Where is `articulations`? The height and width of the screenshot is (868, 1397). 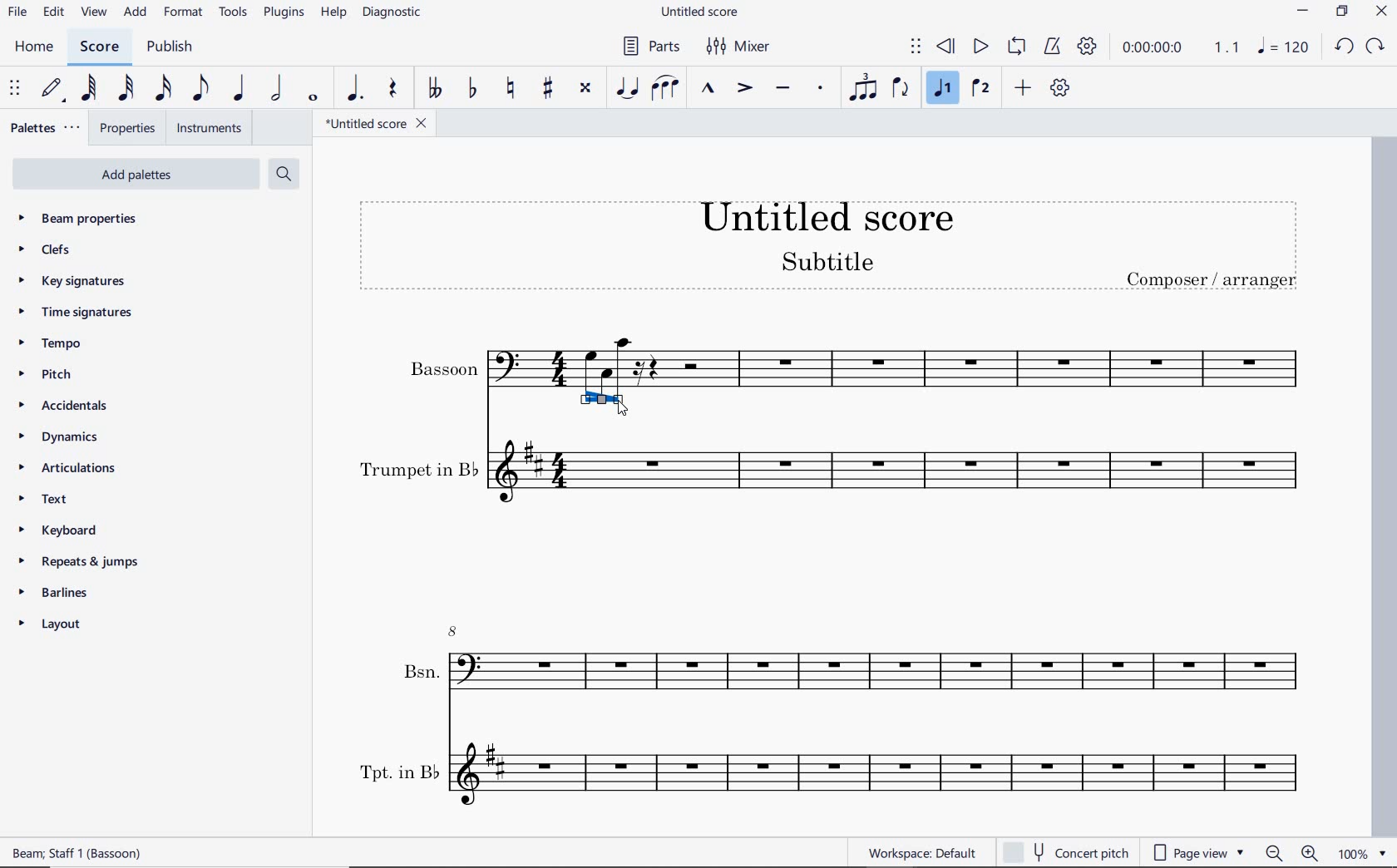 articulations is located at coordinates (71, 468).